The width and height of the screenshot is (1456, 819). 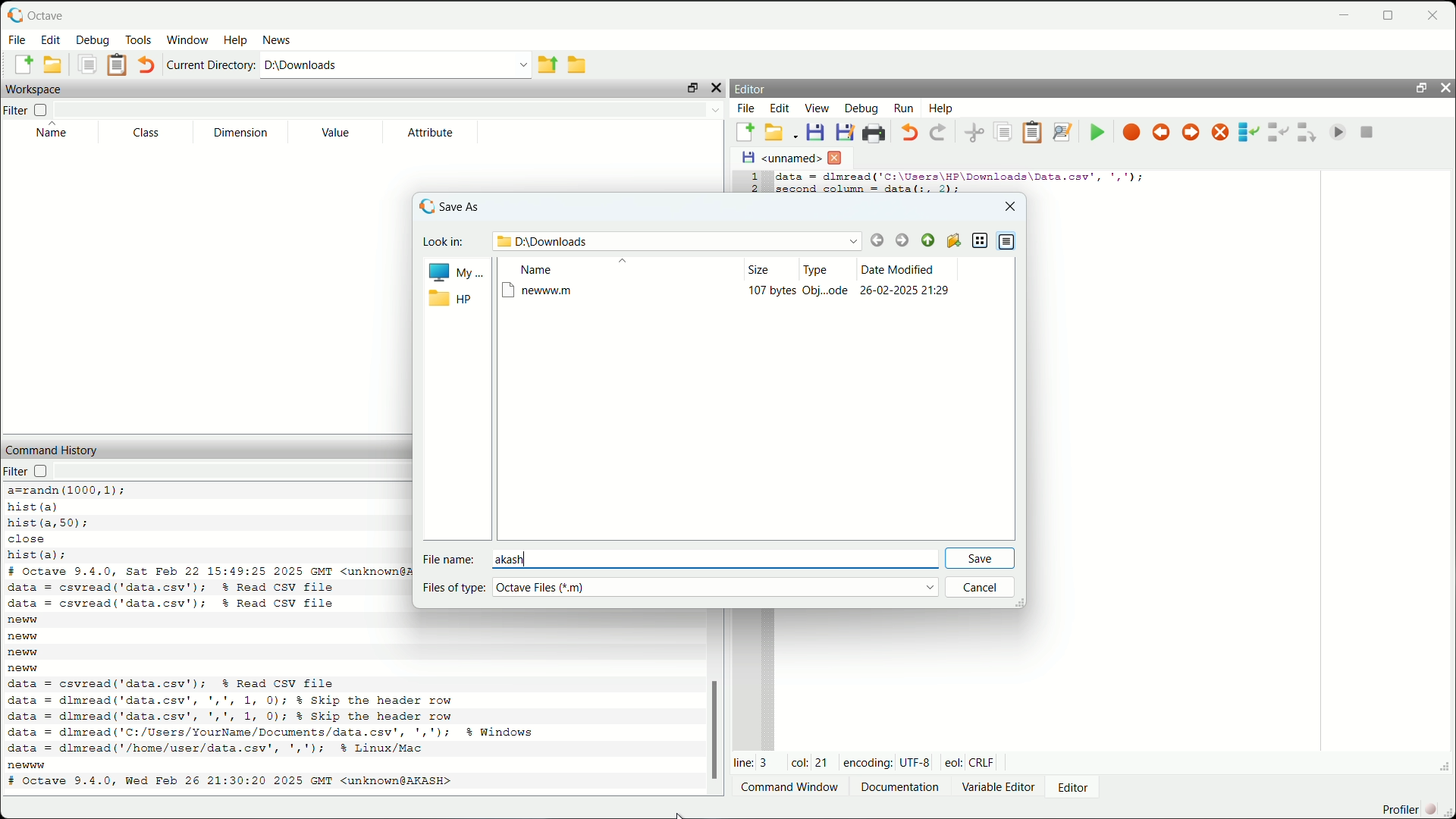 I want to click on toggle breakpoint, so click(x=1131, y=134).